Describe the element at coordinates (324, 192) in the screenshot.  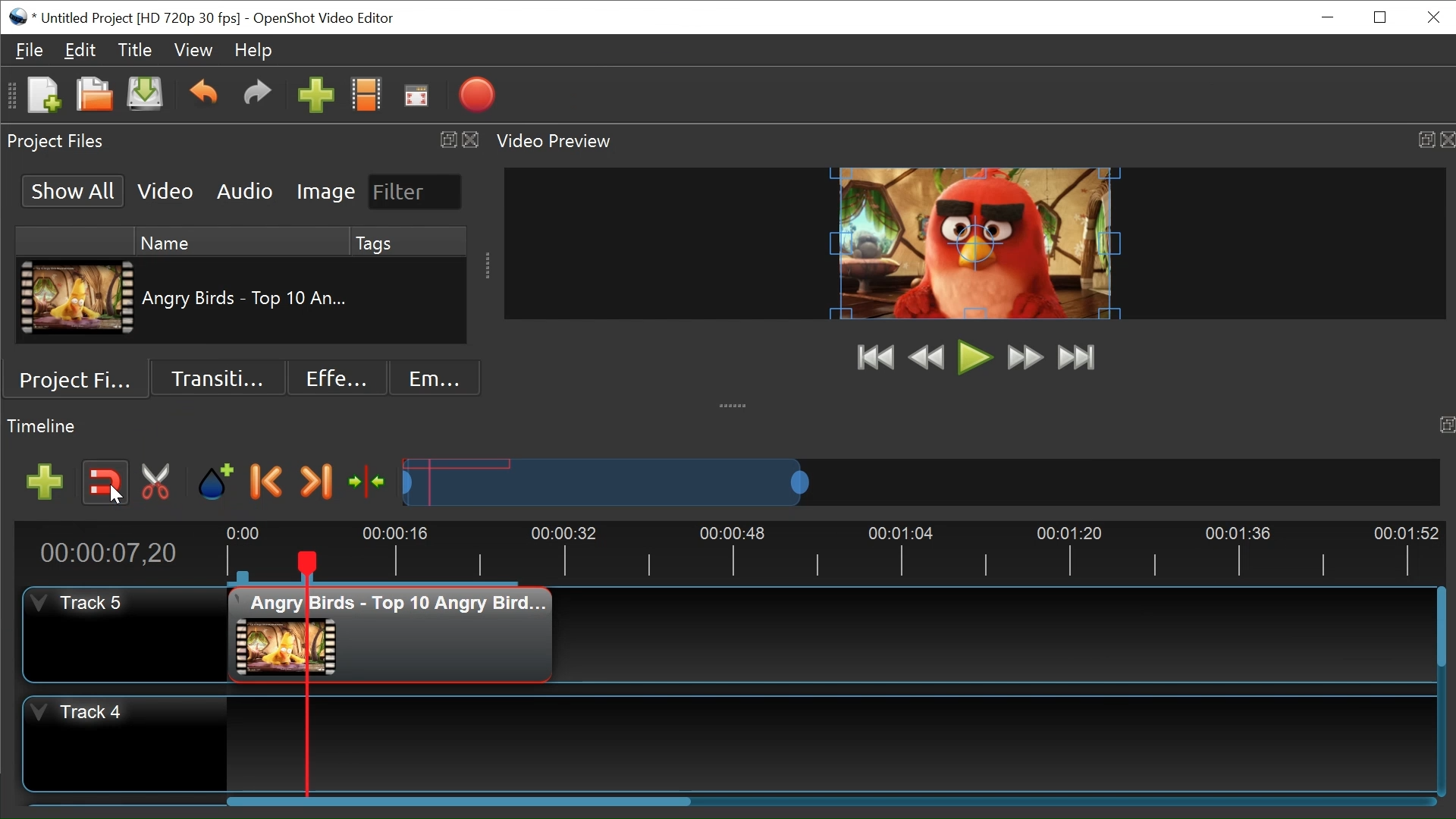
I see `Image` at that location.